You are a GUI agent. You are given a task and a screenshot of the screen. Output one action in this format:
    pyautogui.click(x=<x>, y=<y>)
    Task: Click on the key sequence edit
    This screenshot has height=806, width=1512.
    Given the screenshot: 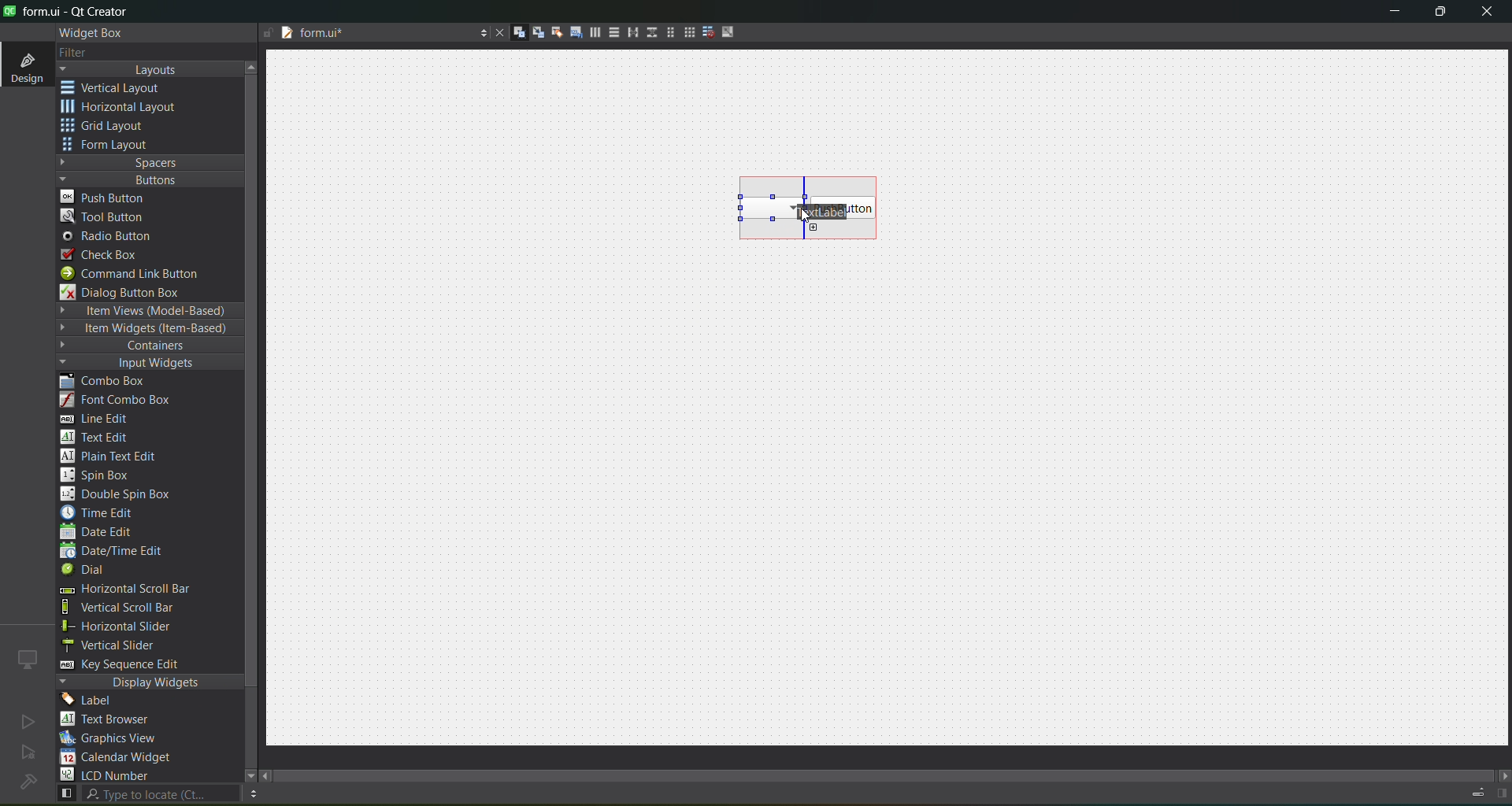 What is the action you would take?
    pyautogui.click(x=131, y=665)
    